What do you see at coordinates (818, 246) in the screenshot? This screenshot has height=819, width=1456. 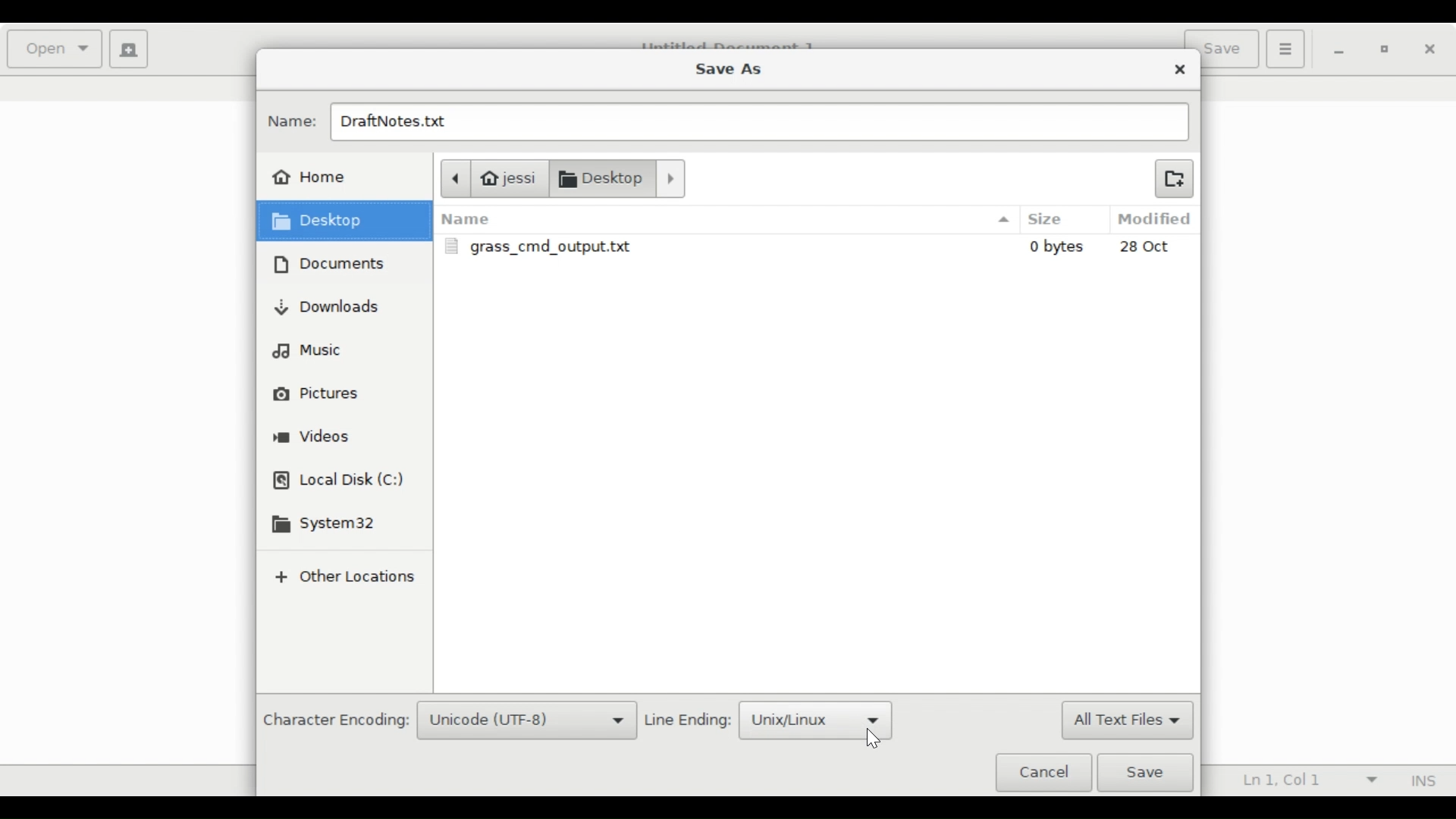 I see `grass_cmd_output.txt` at bounding box center [818, 246].